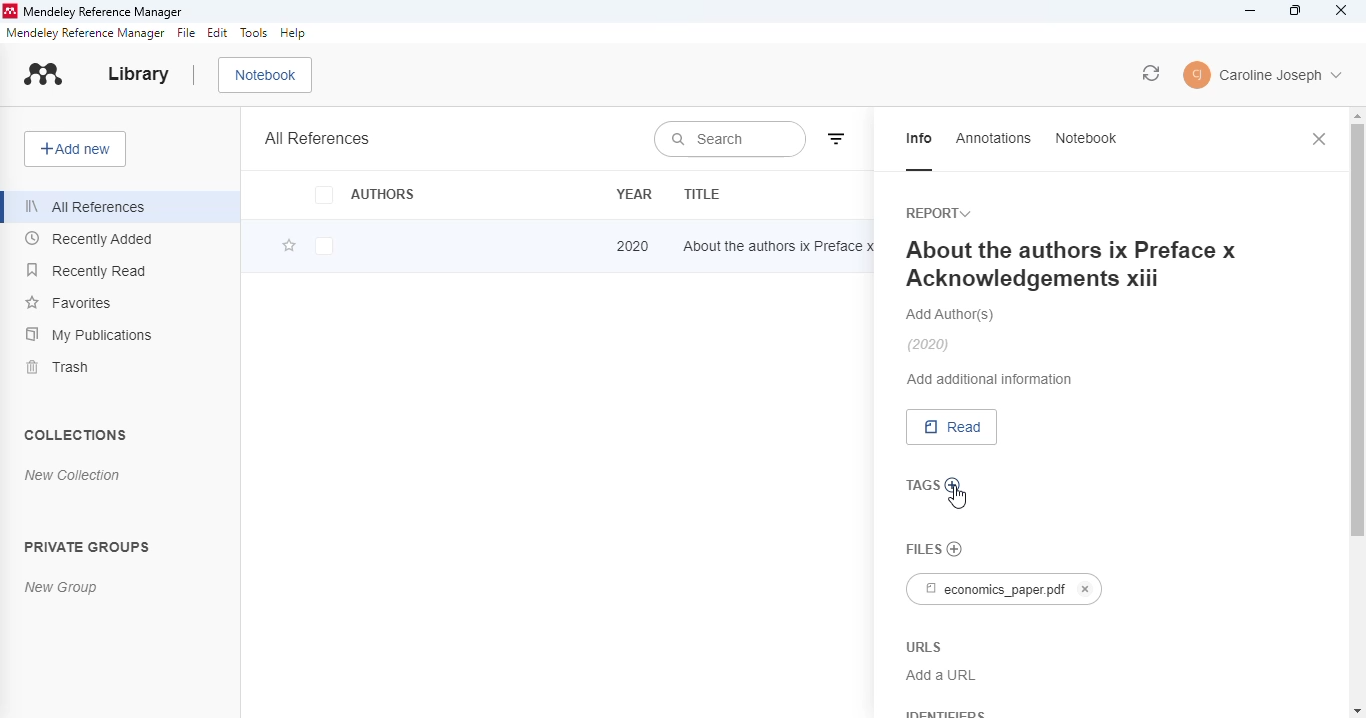  I want to click on recently added, so click(91, 239).